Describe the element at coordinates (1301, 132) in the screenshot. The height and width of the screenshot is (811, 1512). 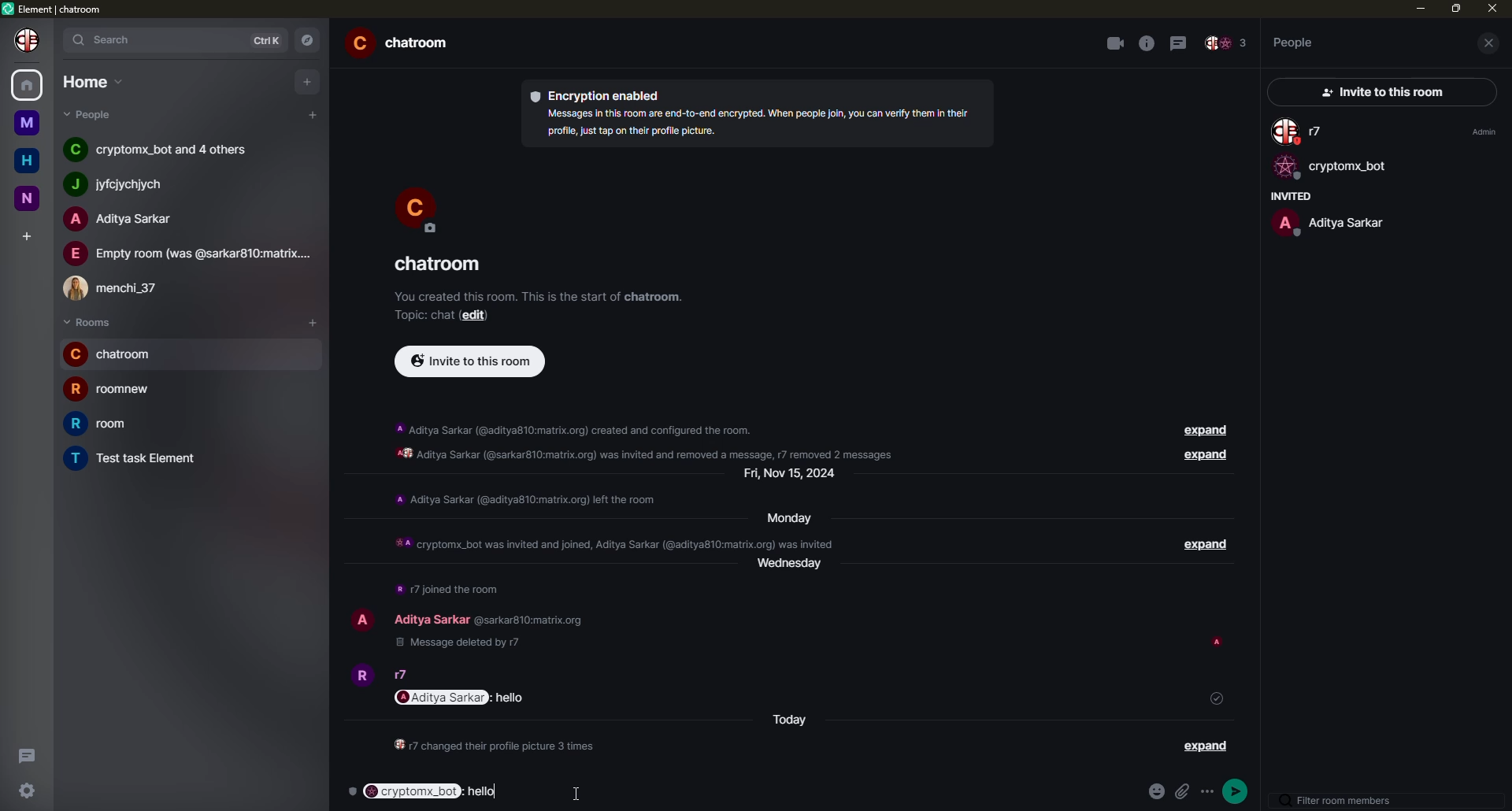
I see `people` at that location.